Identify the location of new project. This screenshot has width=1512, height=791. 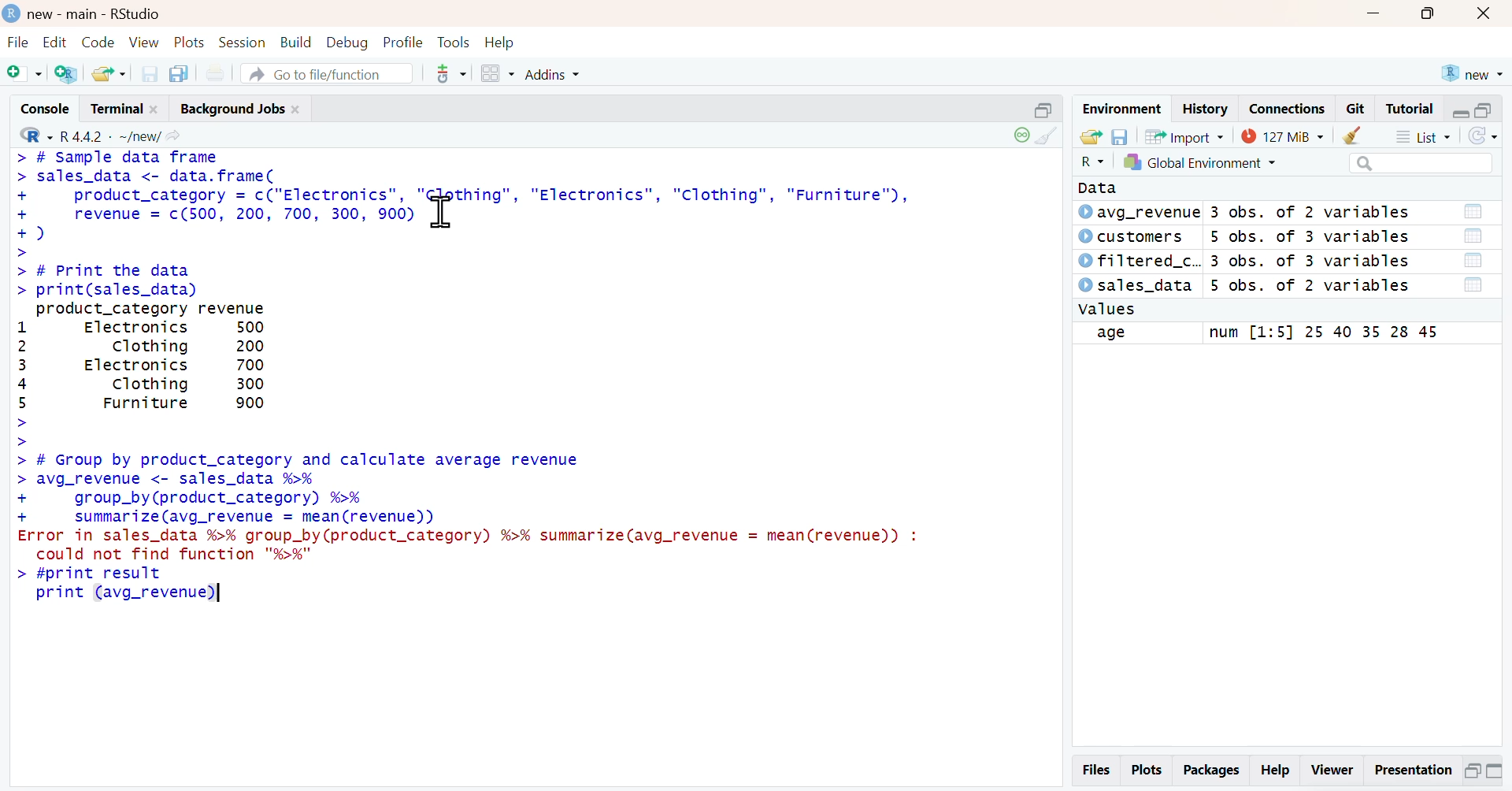
(1471, 73).